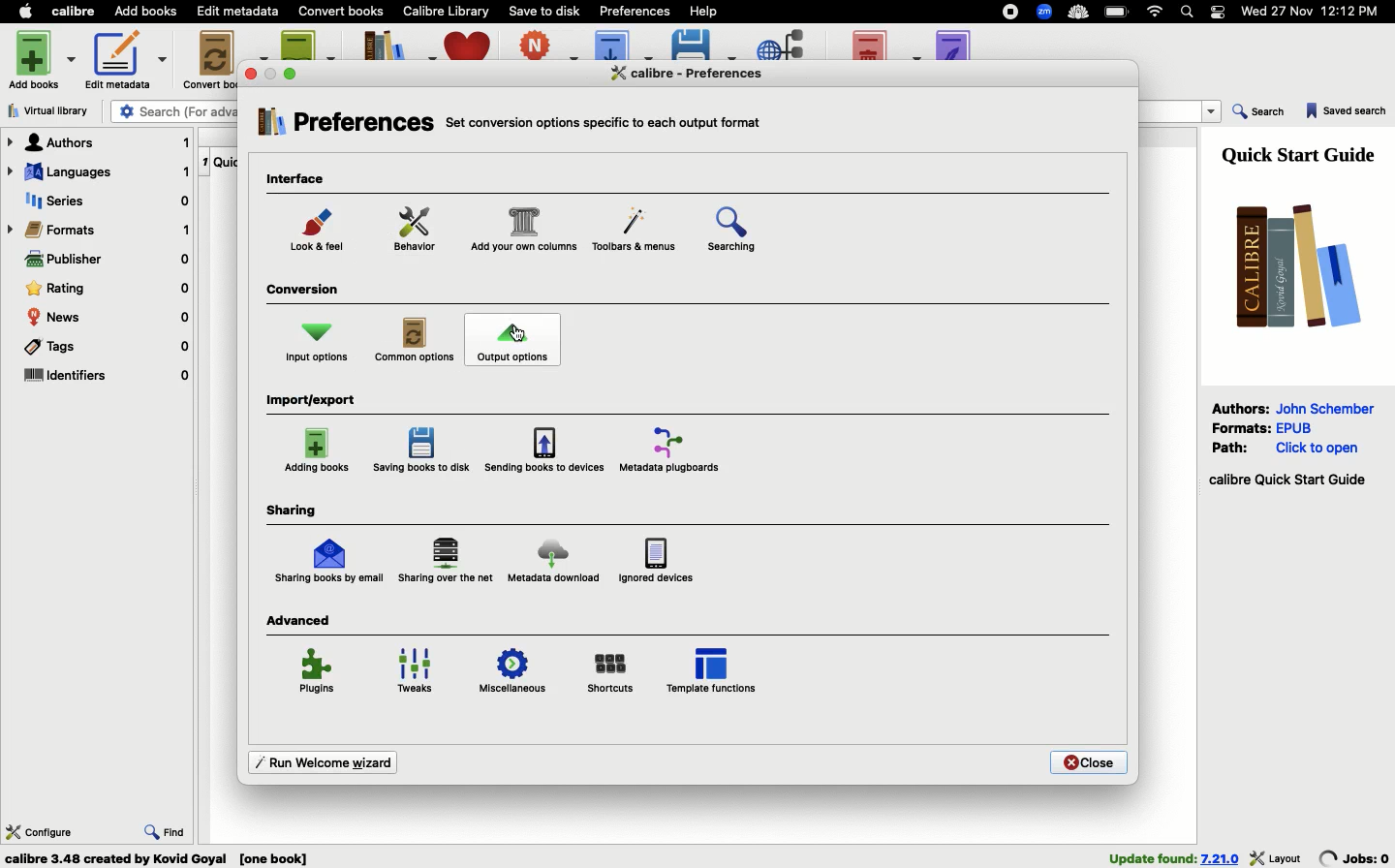  Describe the element at coordinates (77, 11) in the screenshot. I see `Calibre` at that location.